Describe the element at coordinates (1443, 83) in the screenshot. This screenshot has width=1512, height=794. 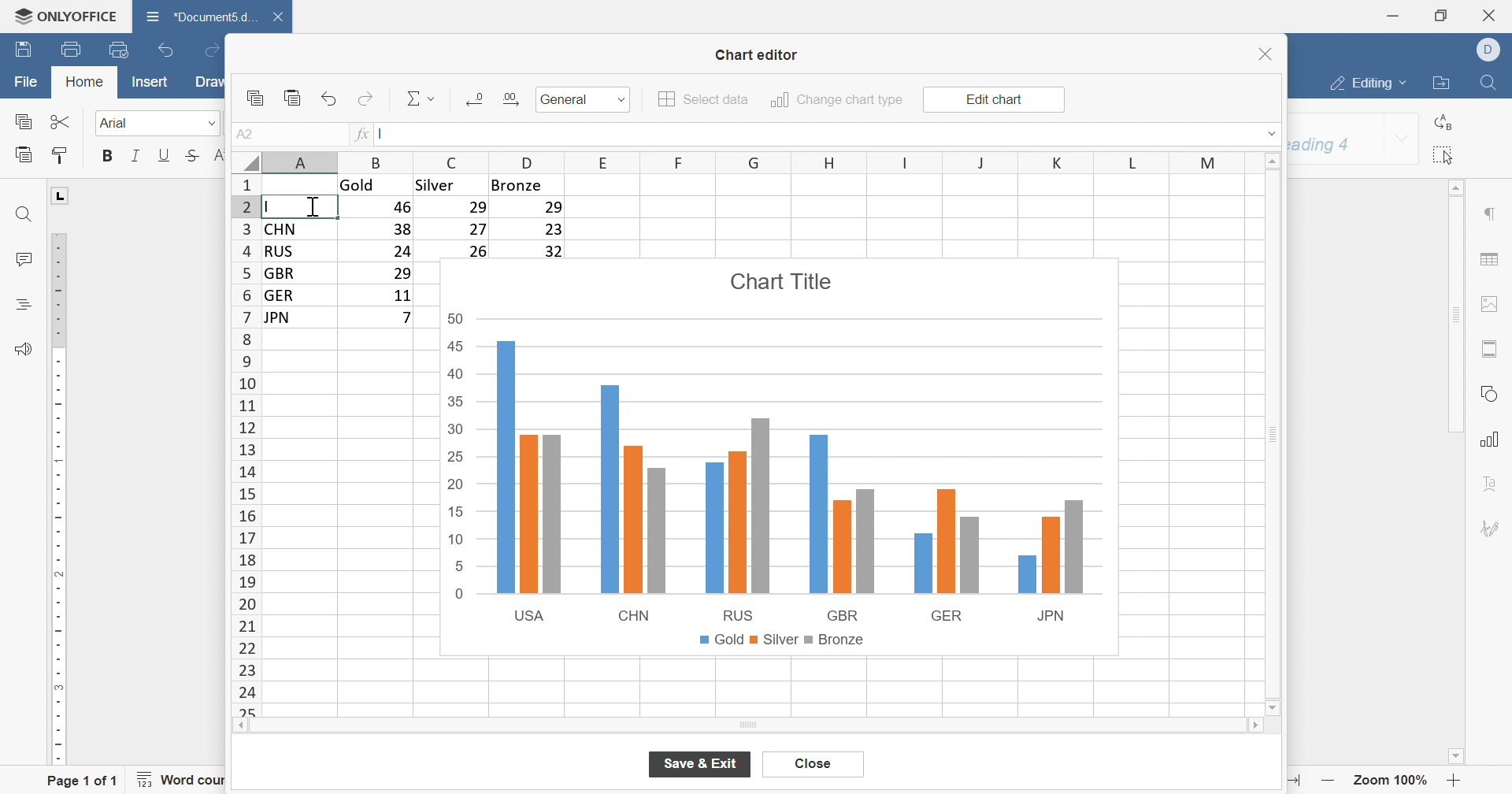
I see `open file location` at that location.